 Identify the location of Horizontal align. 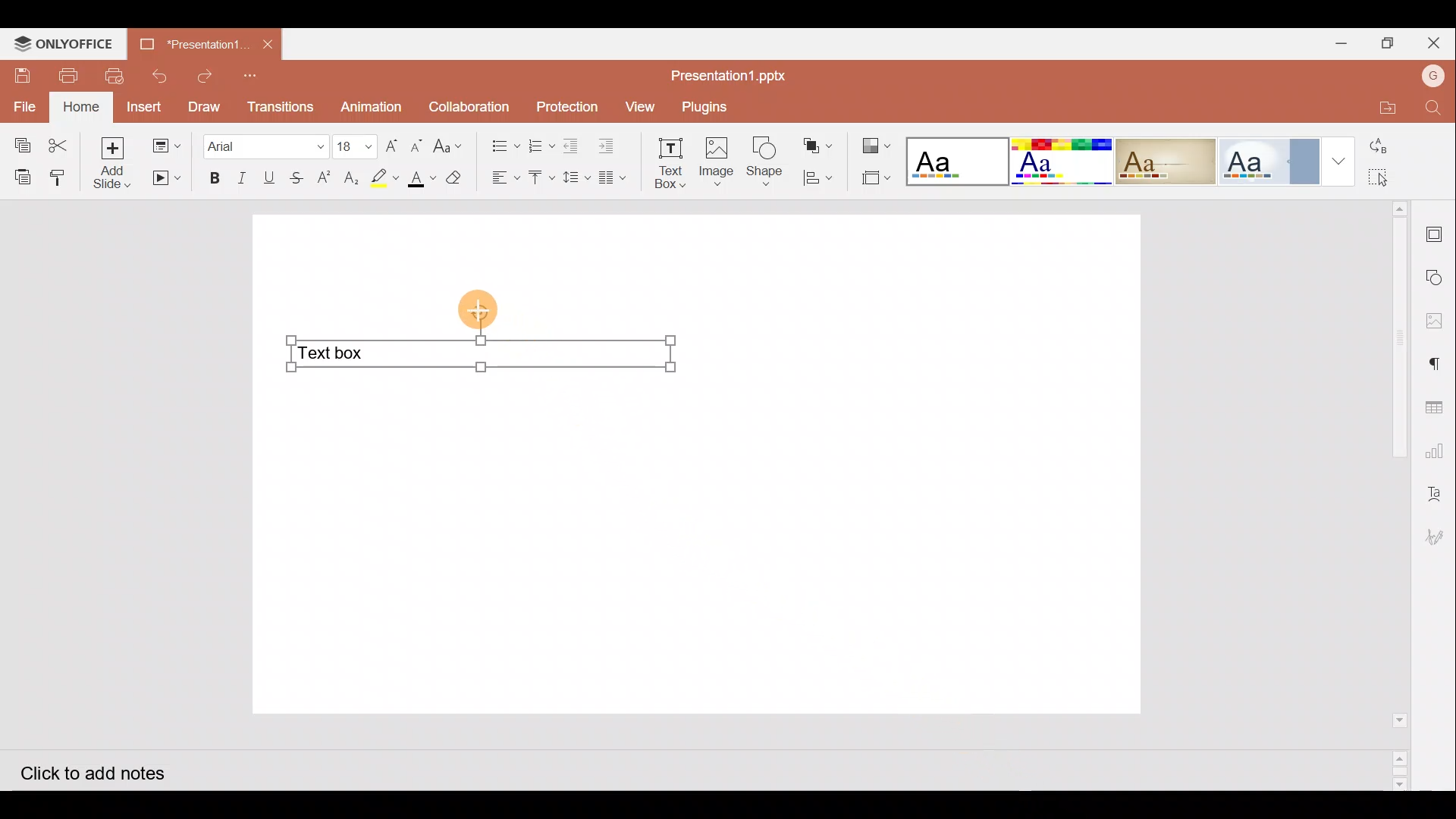
(504, 178).